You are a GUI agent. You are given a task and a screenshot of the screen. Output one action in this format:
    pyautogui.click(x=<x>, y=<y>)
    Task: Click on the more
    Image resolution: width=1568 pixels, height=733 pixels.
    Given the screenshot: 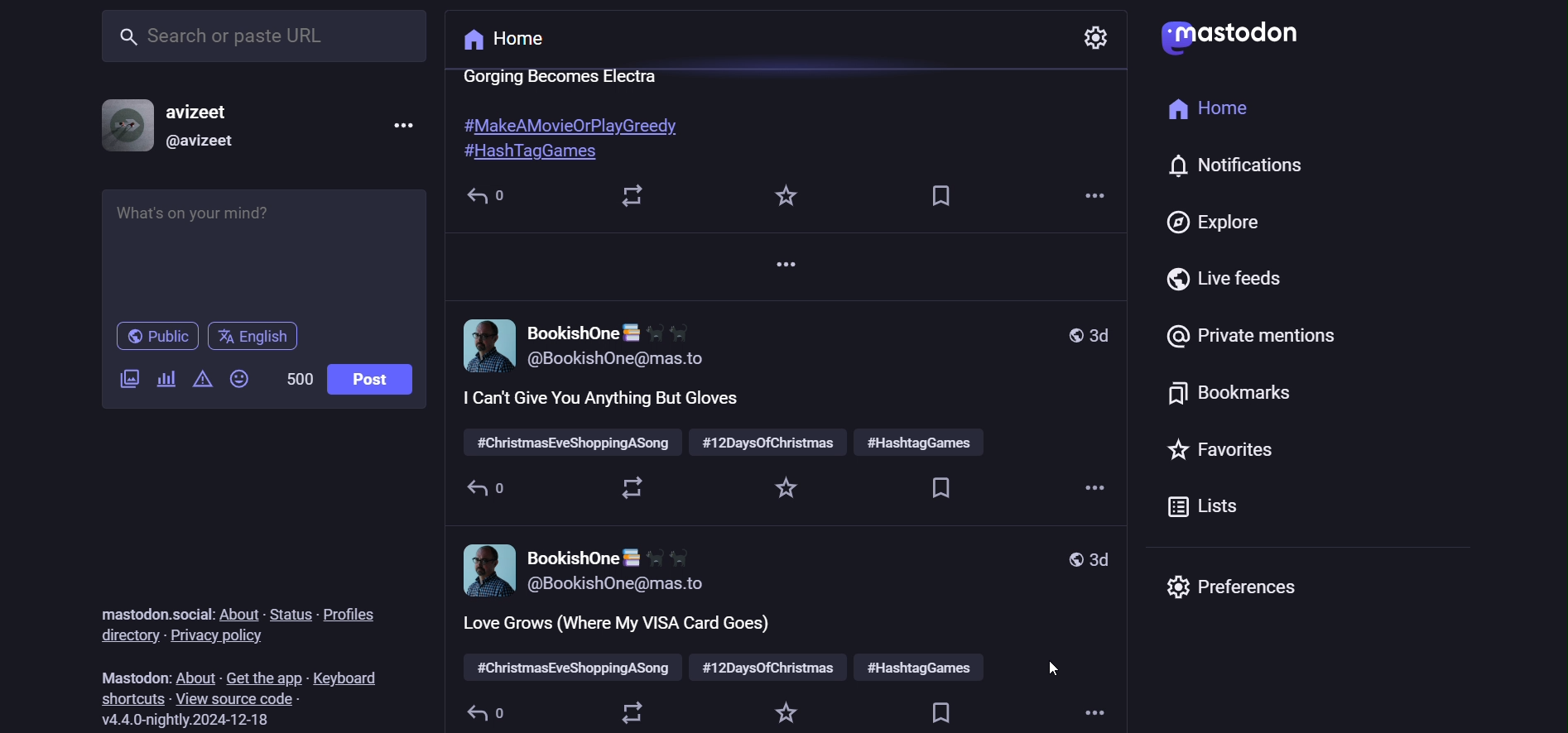 What is the action you would take?
    pyautogui.click(x=782, y=269)
    